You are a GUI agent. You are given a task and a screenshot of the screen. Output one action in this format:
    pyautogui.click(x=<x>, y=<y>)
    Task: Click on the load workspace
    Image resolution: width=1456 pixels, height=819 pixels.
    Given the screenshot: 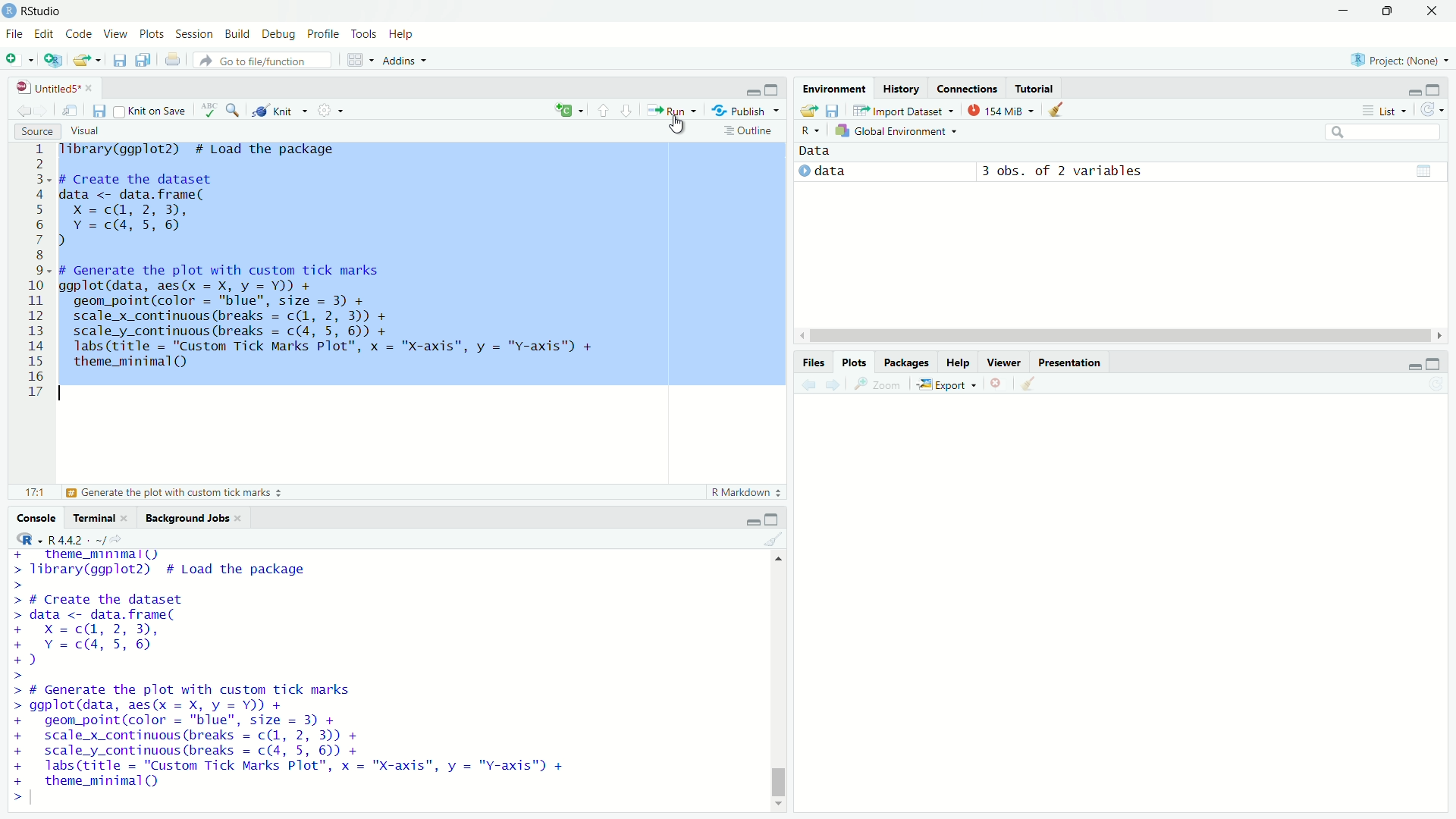 What is the action you would take?
    pyautogui.click(x=808, y=111)
    